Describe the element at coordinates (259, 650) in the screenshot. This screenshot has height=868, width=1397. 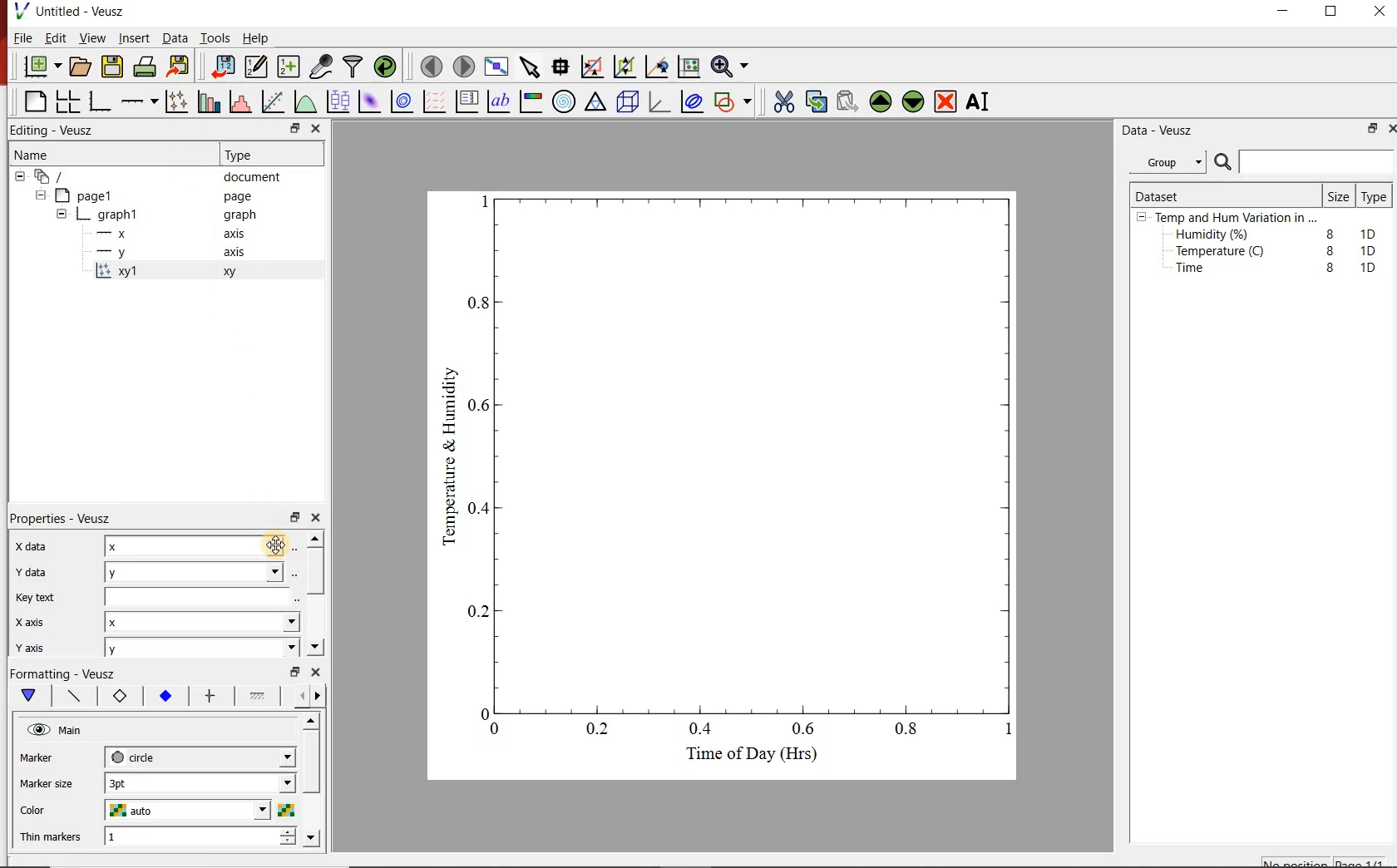
I see `y axis dropdown` at that location.